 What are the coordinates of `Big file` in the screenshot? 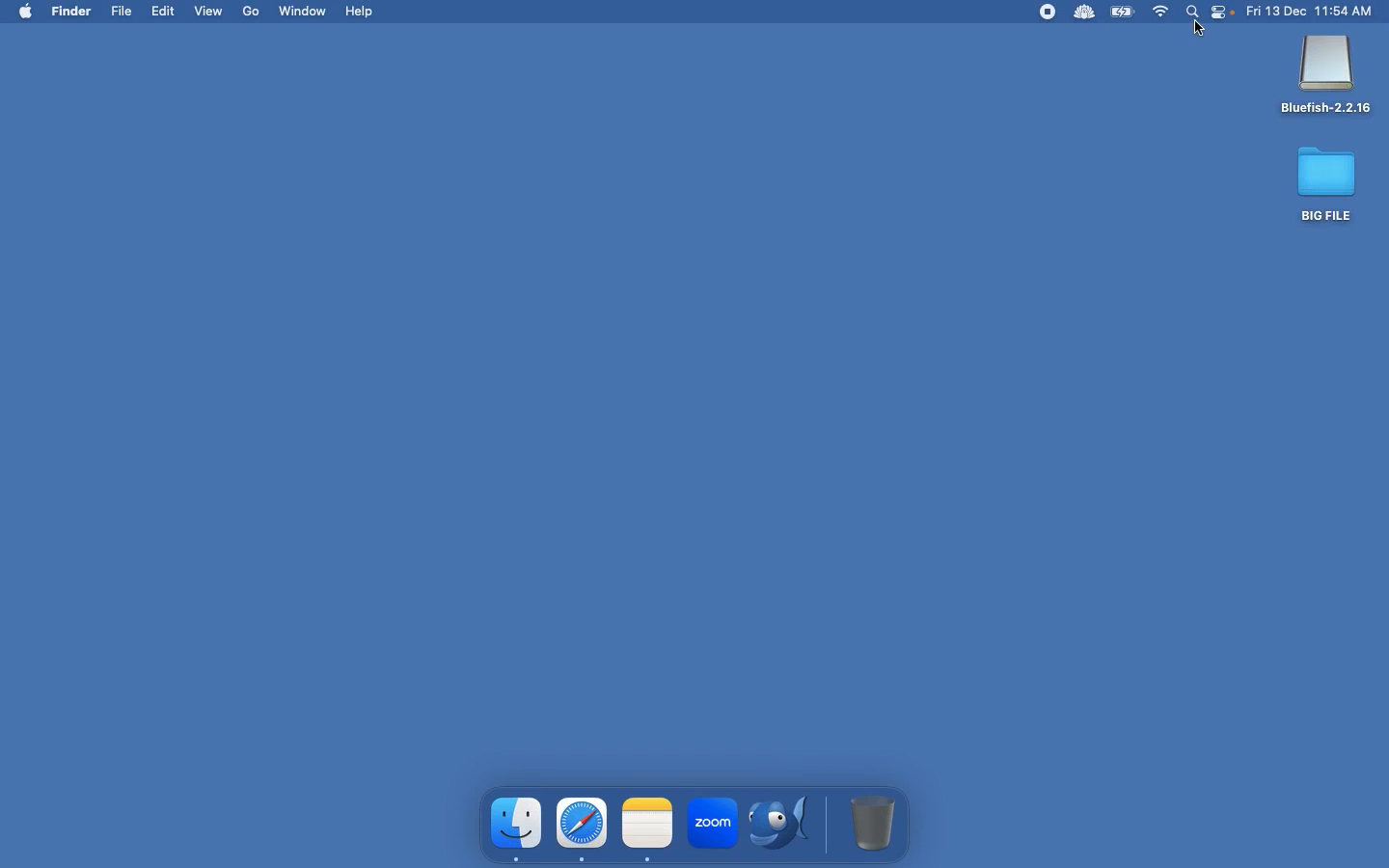 It's located at (1327, 183).